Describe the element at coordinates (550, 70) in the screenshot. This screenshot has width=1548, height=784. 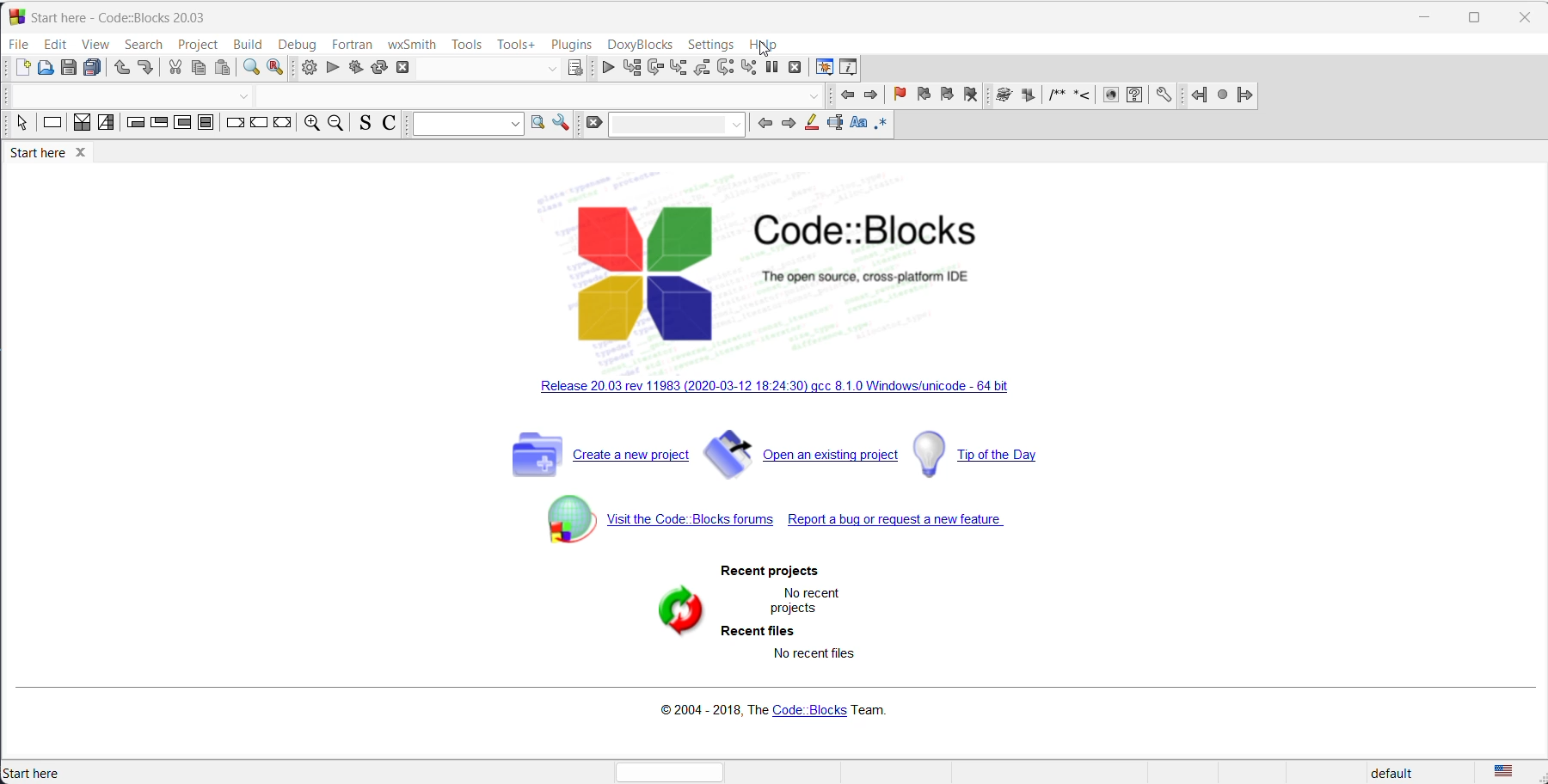
I see `dropdown button` at that location.